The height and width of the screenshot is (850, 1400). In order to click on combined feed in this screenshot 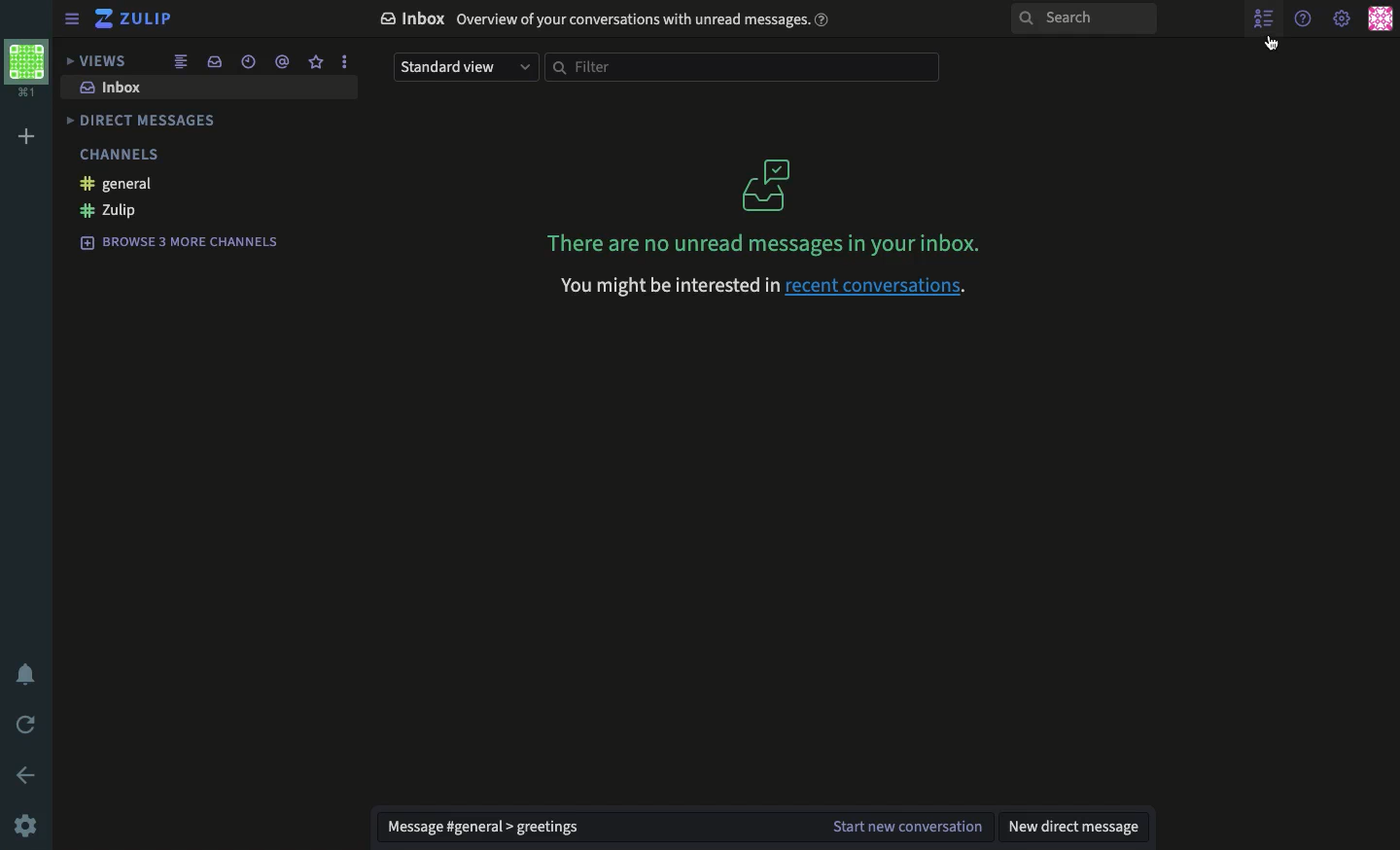, I will do `click(183, 61)`.